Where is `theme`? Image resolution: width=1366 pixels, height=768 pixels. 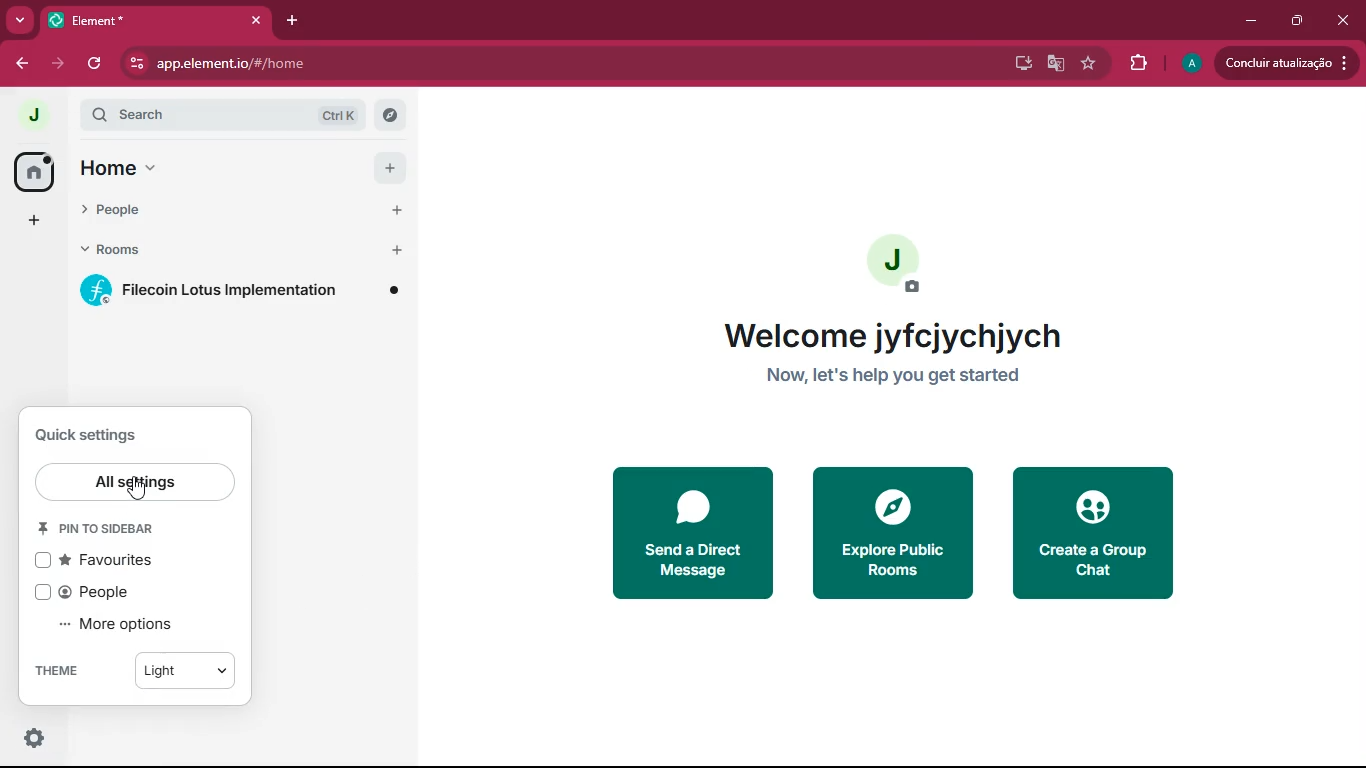
theme is located at coordinates (62, 673).